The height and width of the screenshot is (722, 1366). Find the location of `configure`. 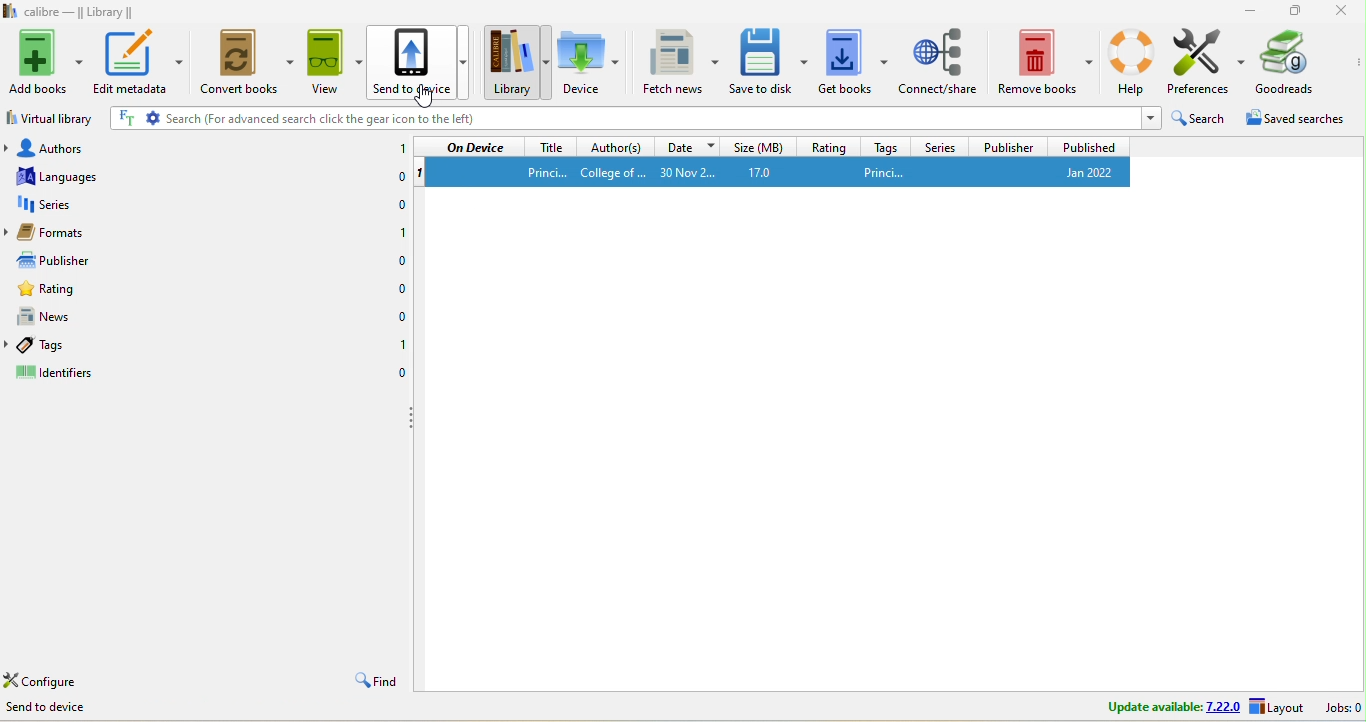

configure is located at coordinates (39, 680).